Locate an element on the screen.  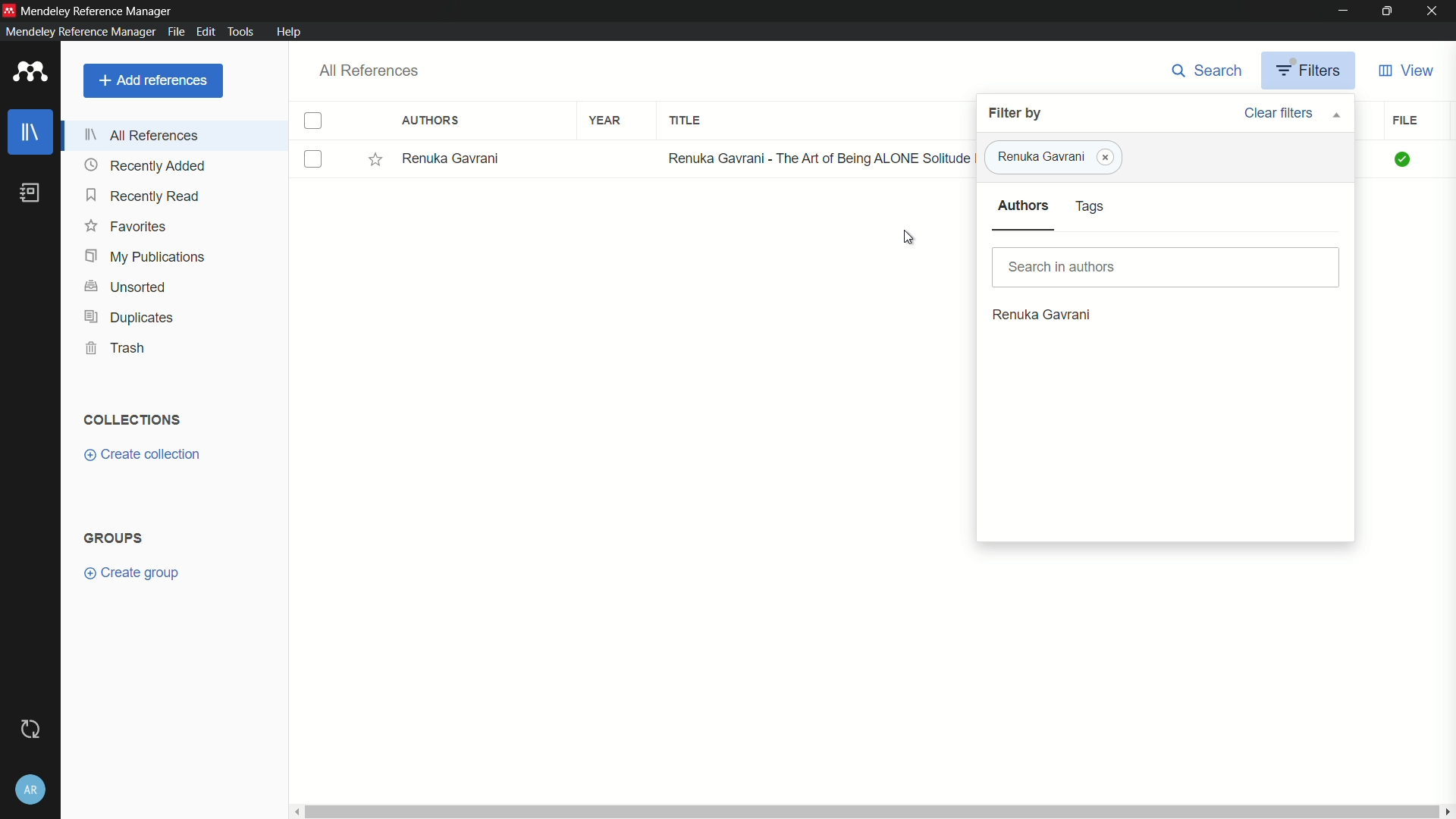
maximize is located at coordinates (1385, 10).